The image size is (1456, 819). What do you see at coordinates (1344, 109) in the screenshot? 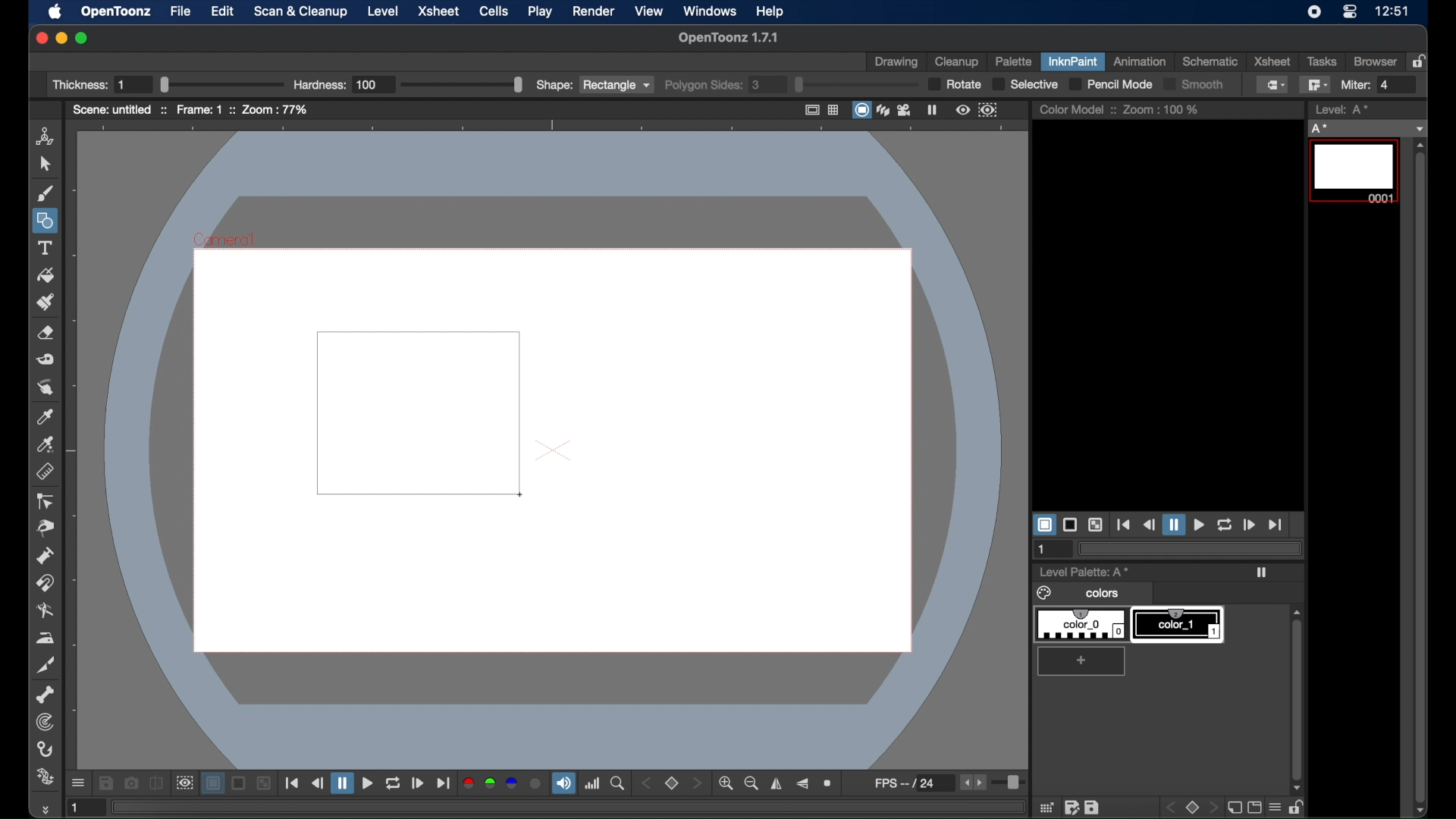
I see `level strip` at bounding box center [1344, 109].